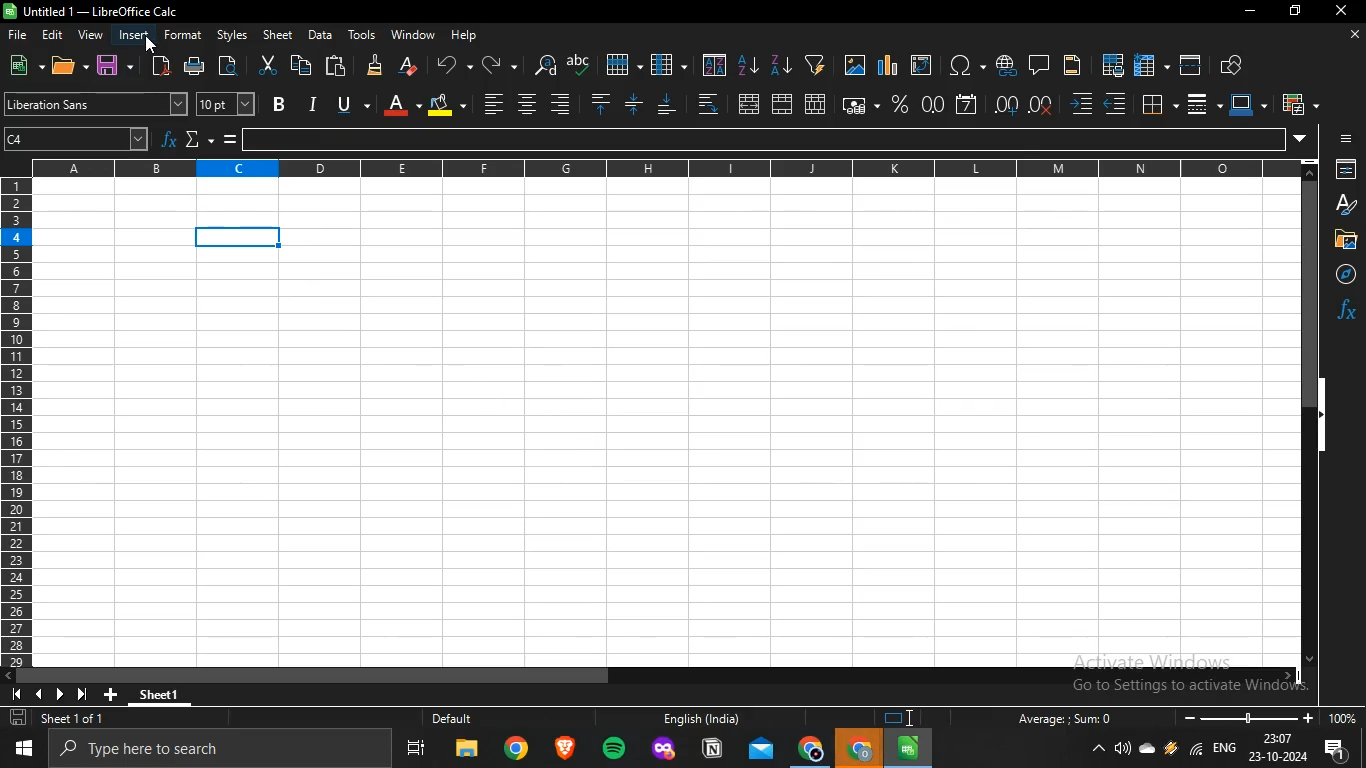  What do you see at coordinates (197, 66) in the screenshot?
I see `print` at bounding box center [197, 66].